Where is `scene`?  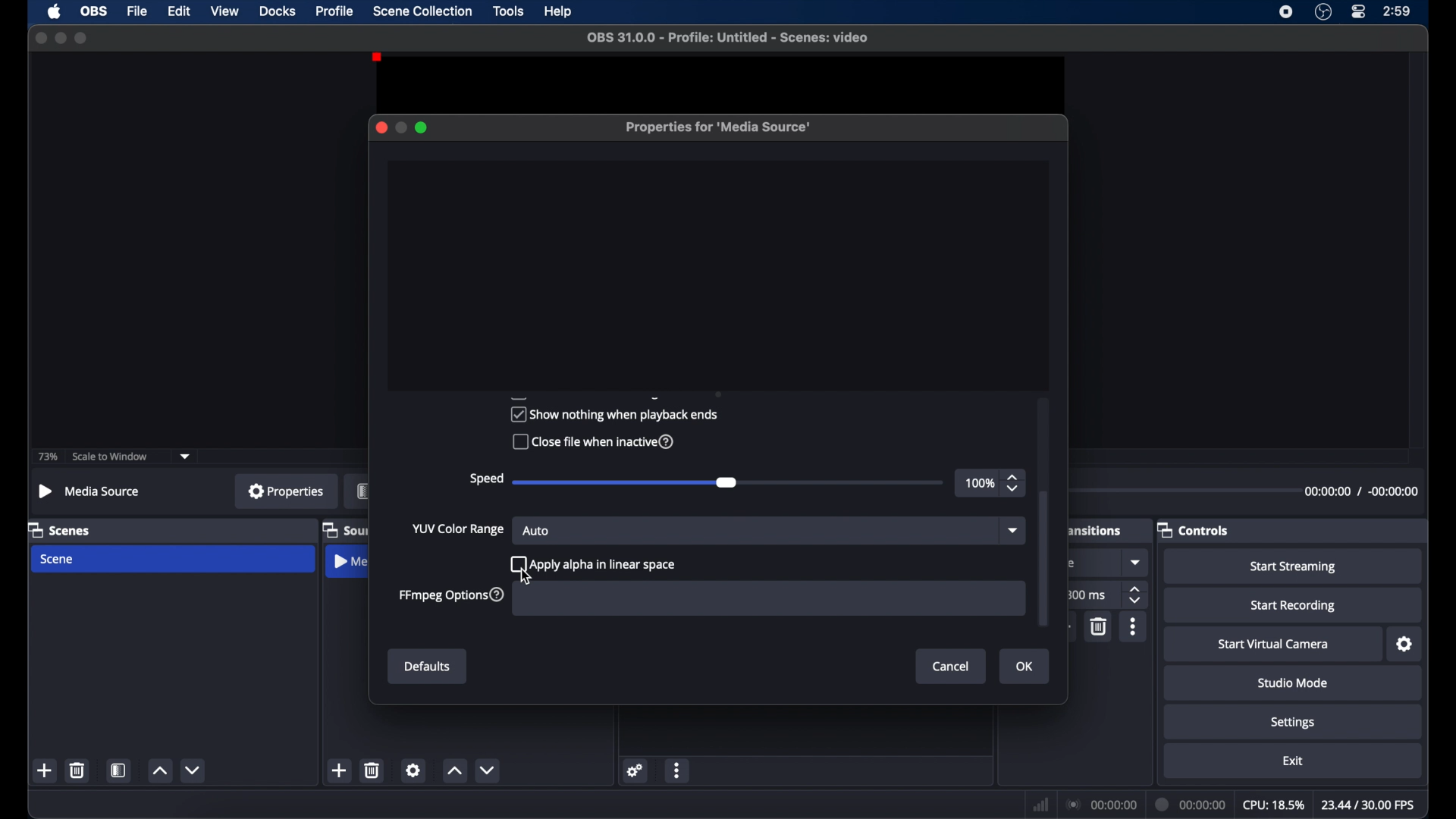 scene is located at coordinates (58, 560).